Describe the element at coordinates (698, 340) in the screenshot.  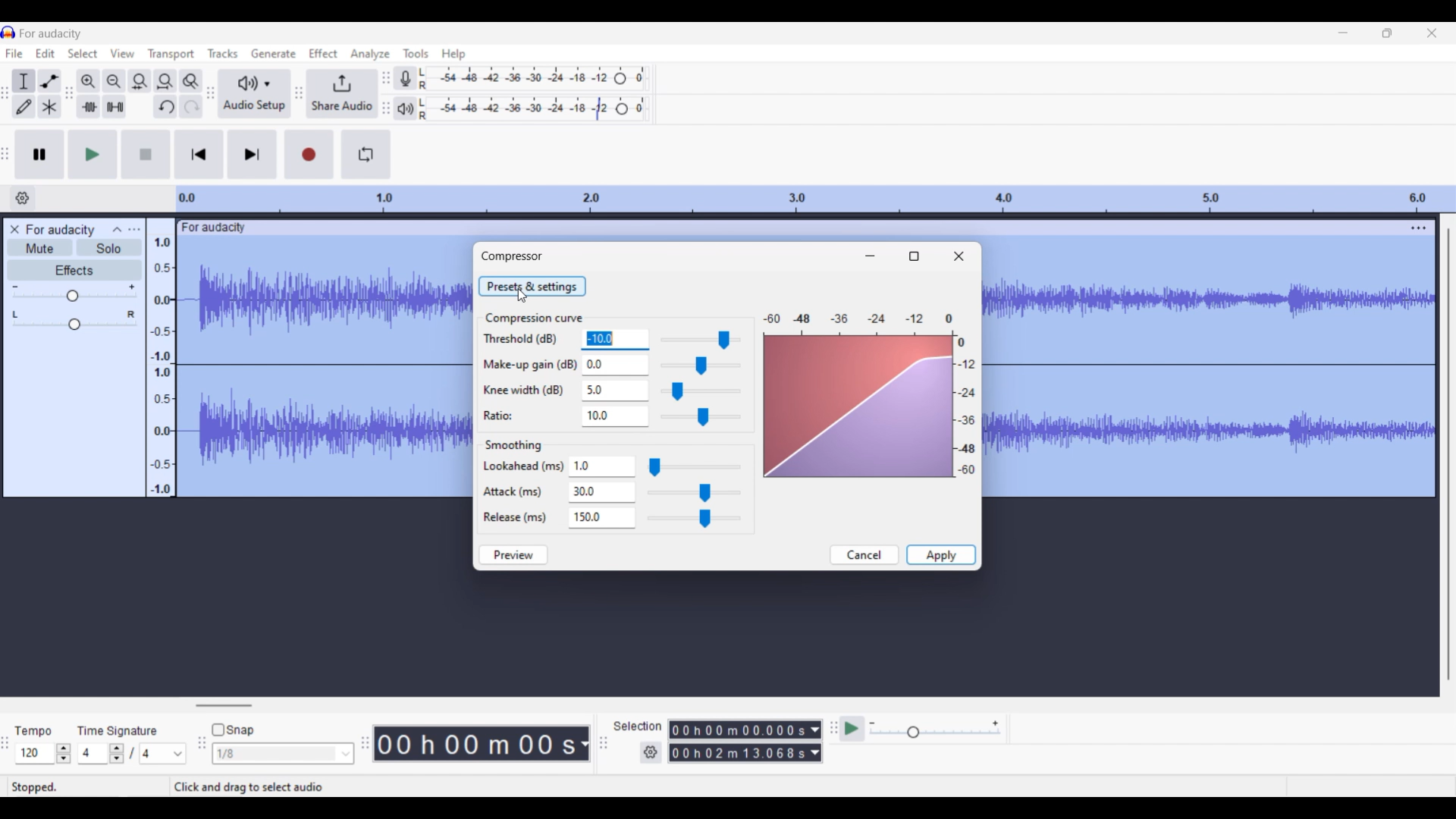
I see `Threshold slider` at that location.